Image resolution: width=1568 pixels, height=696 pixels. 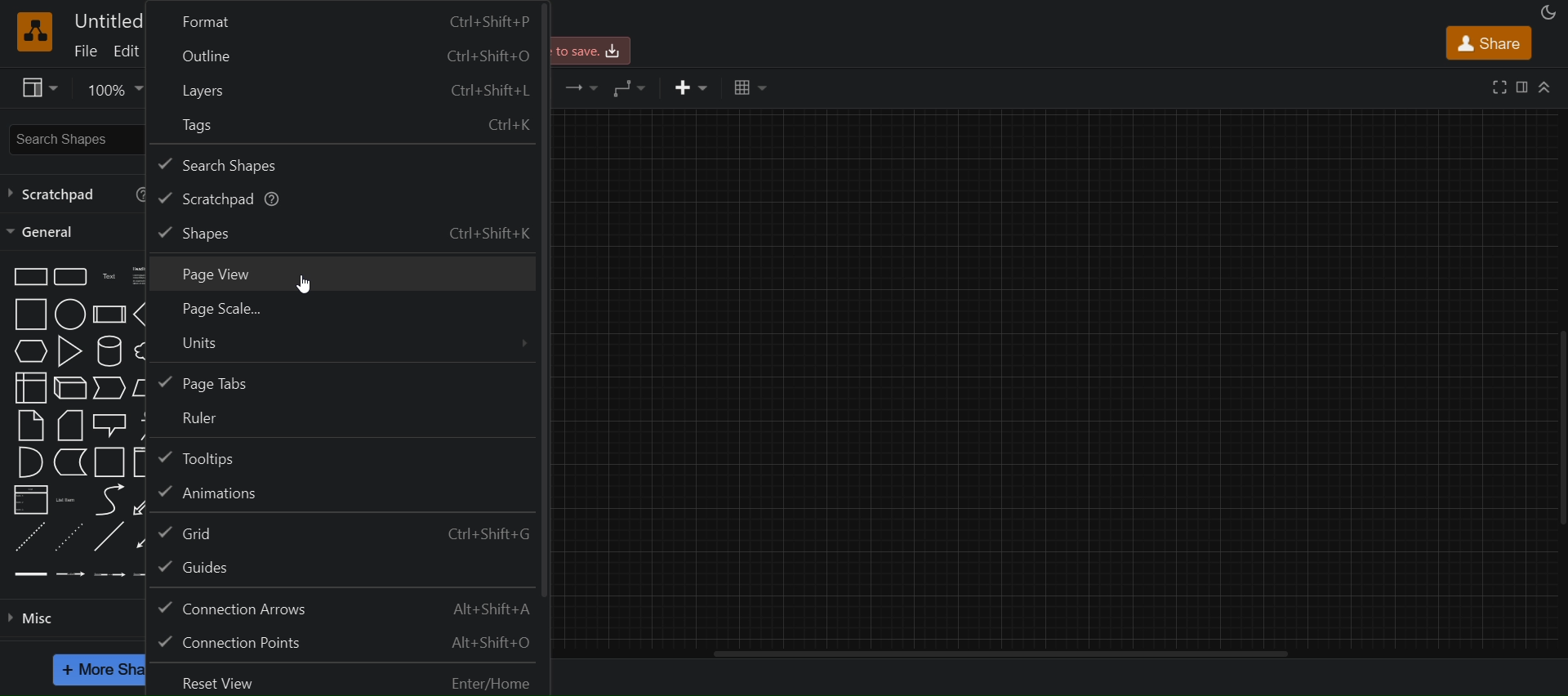 What do you see at coordinates (346, 19) in the screenshot?
I see `format` at bounding box center [346, 19].